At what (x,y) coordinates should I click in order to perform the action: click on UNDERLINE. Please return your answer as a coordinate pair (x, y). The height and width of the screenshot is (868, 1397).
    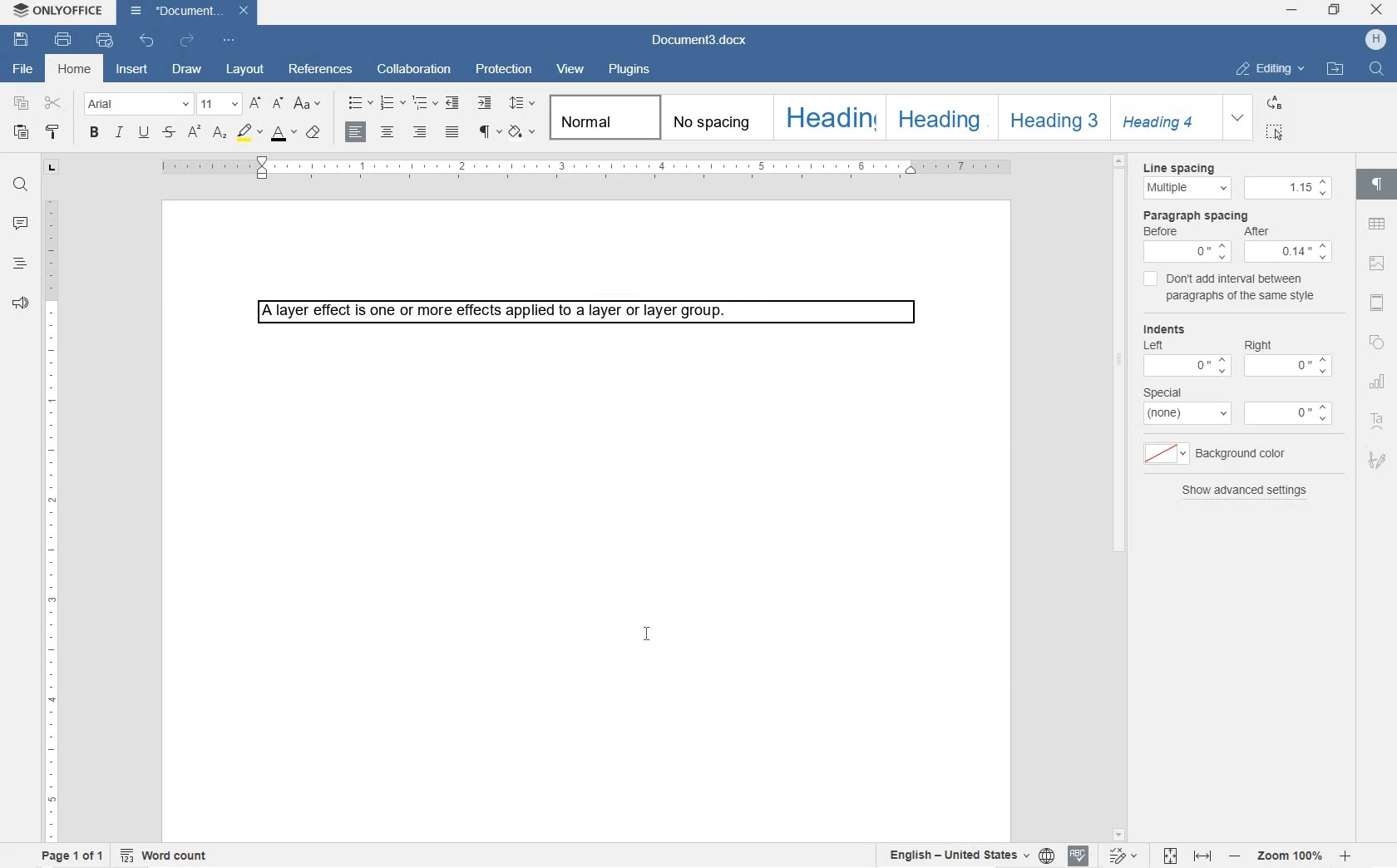
    Looking at the image, I should click on (146, 133).